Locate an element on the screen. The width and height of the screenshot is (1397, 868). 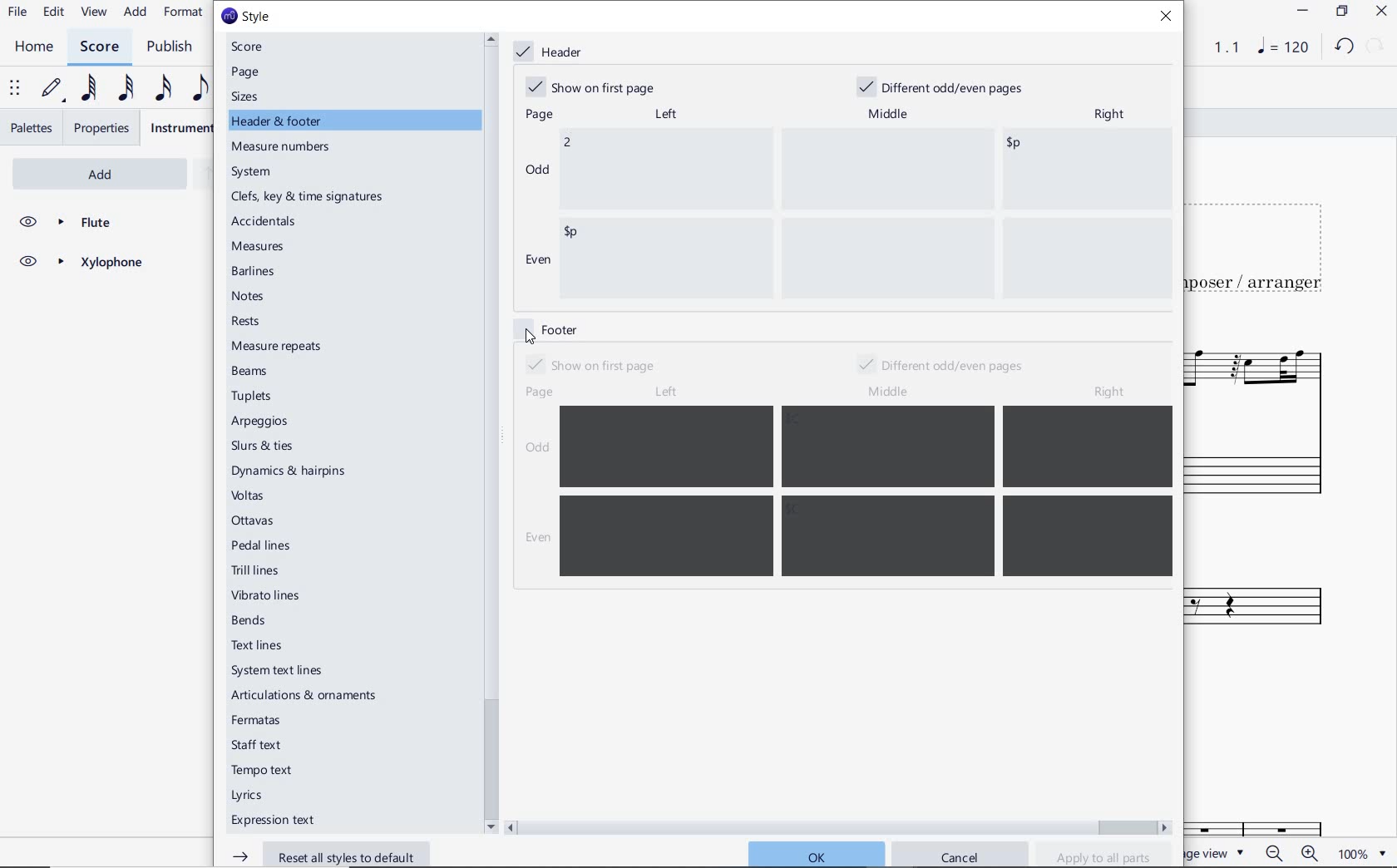
PAGE VIEW is located at coordinates (1220, 852).